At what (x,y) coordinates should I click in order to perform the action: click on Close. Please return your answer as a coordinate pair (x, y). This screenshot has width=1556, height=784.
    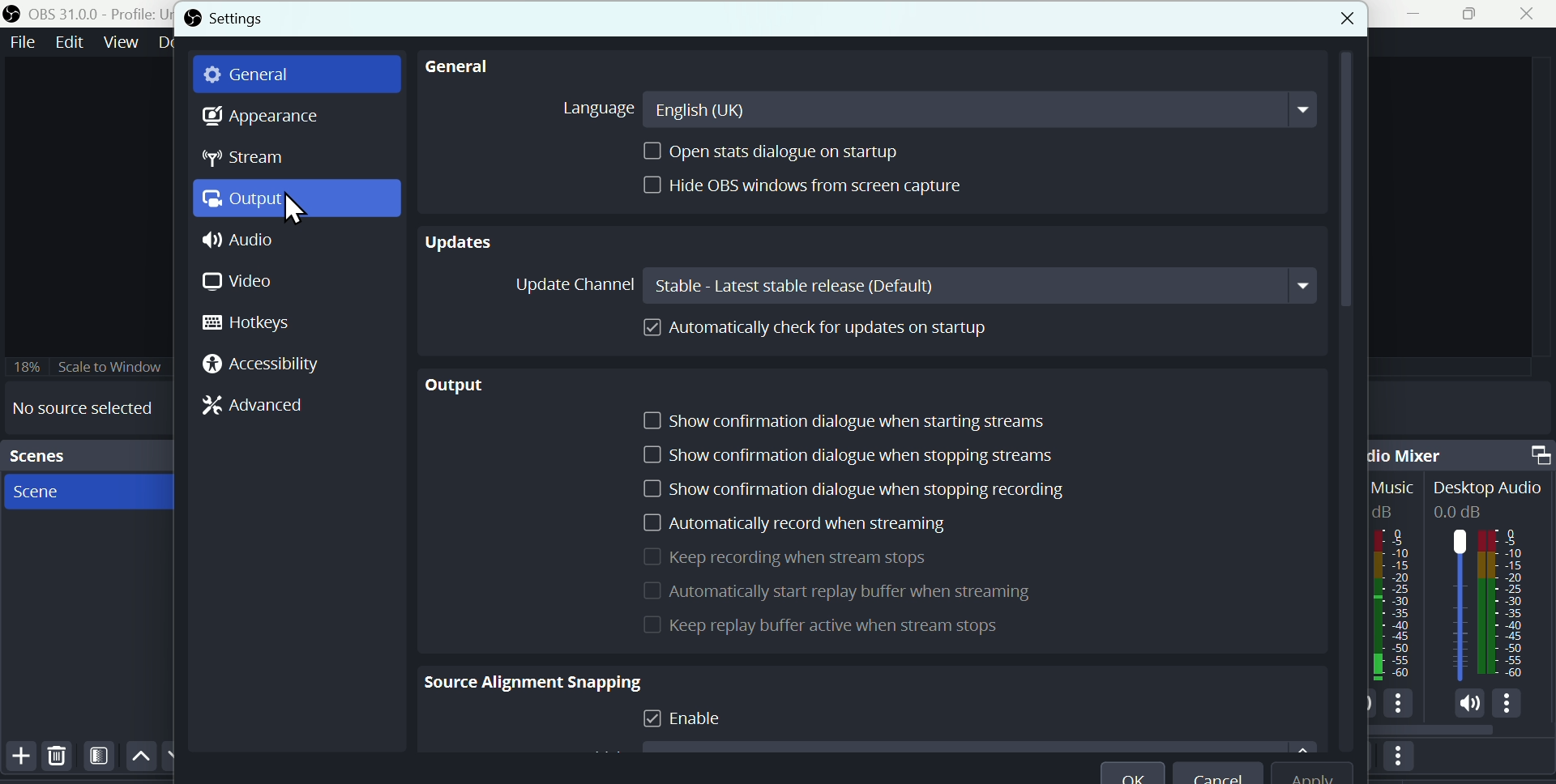
    Looking at the image, I should click on (1531, 15).